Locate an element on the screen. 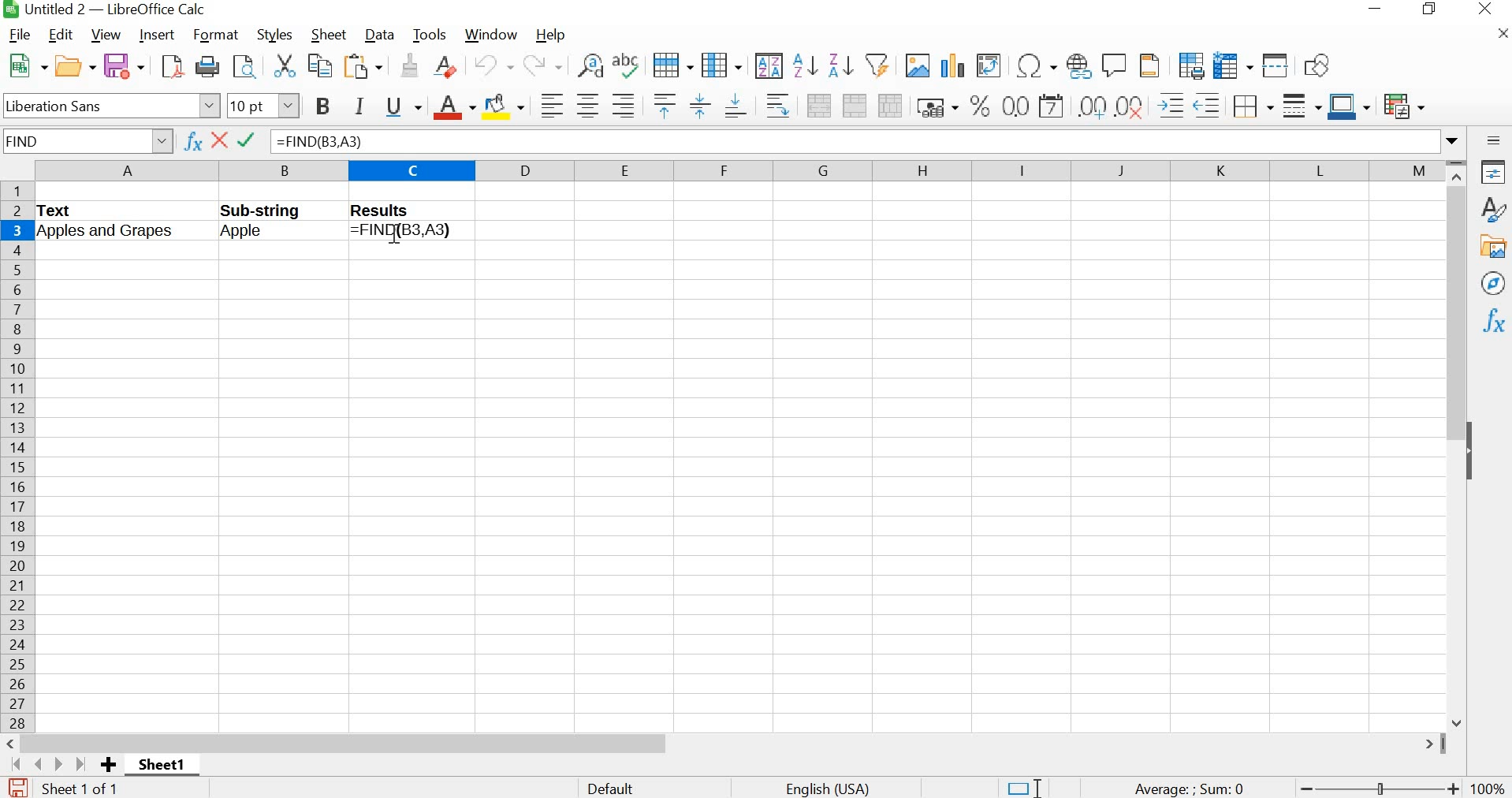 Image resolution: width=1512 pixels, height=798 pixels. sort is located at coordinates (768, 65).